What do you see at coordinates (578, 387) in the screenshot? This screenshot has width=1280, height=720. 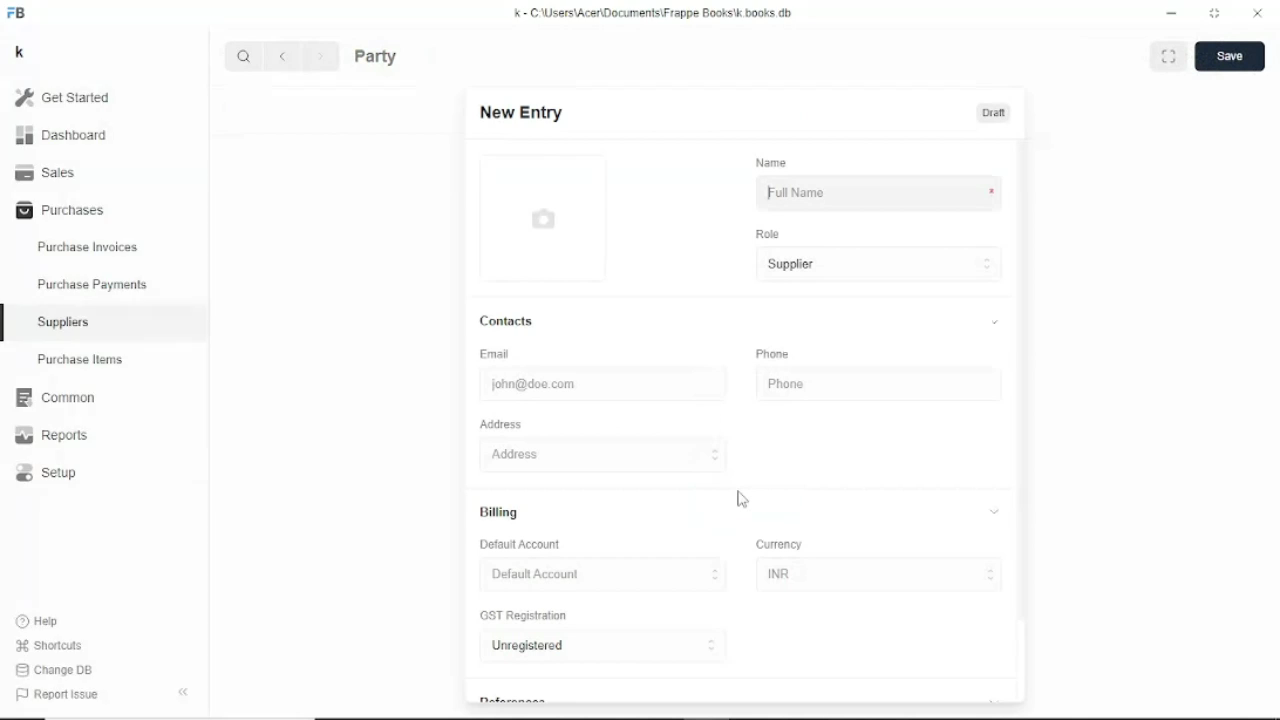 I see `john@doe.com` at bounding box center [578, 387].